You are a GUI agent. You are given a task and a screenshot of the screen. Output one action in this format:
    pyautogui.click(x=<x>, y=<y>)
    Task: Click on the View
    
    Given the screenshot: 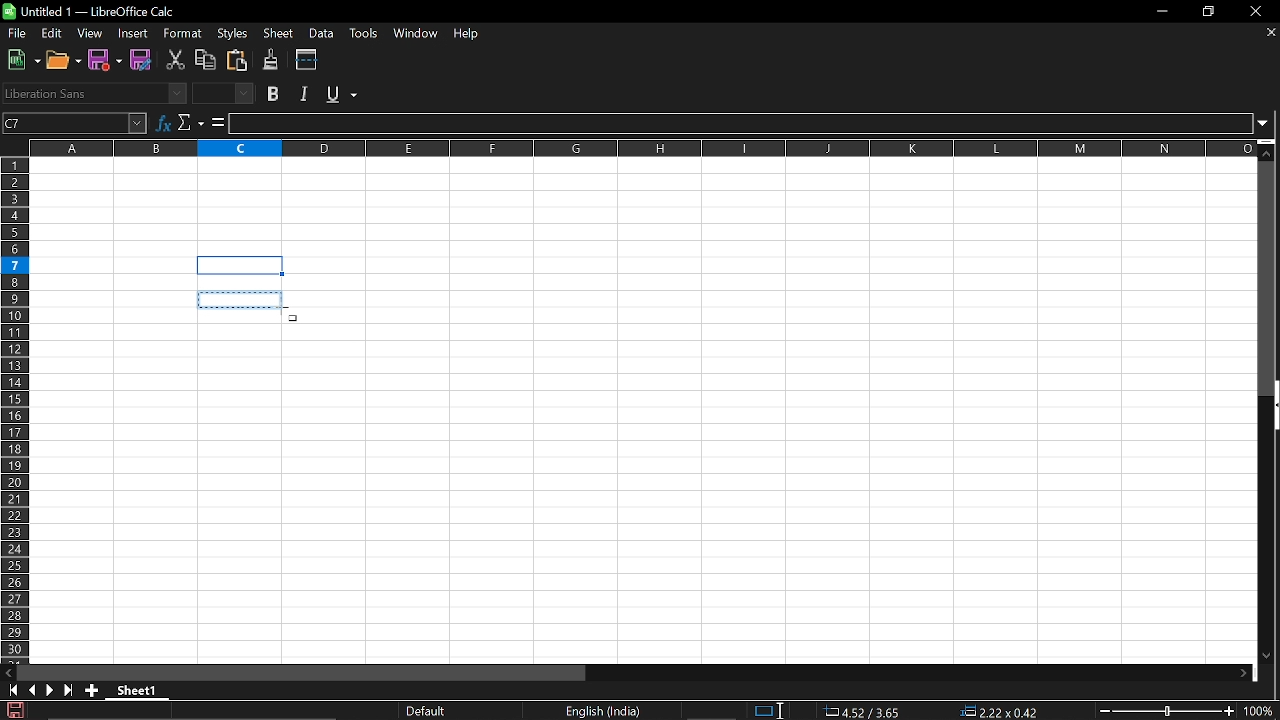 What is the action you would take?
    pyautogui.click(x=90, y=34)
    